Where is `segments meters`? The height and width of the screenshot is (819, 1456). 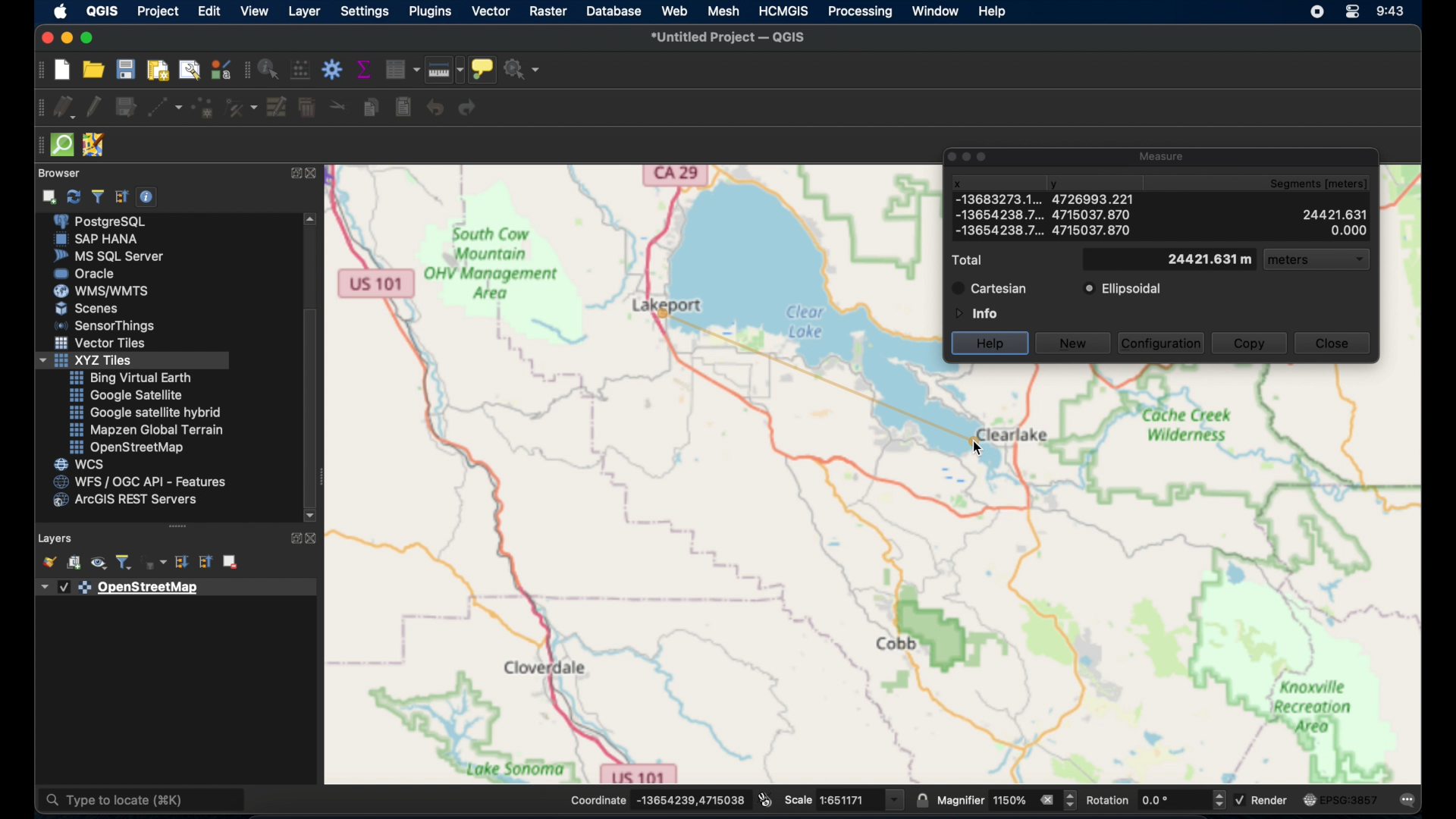 segments meters is located at coordinates (1326, 184).